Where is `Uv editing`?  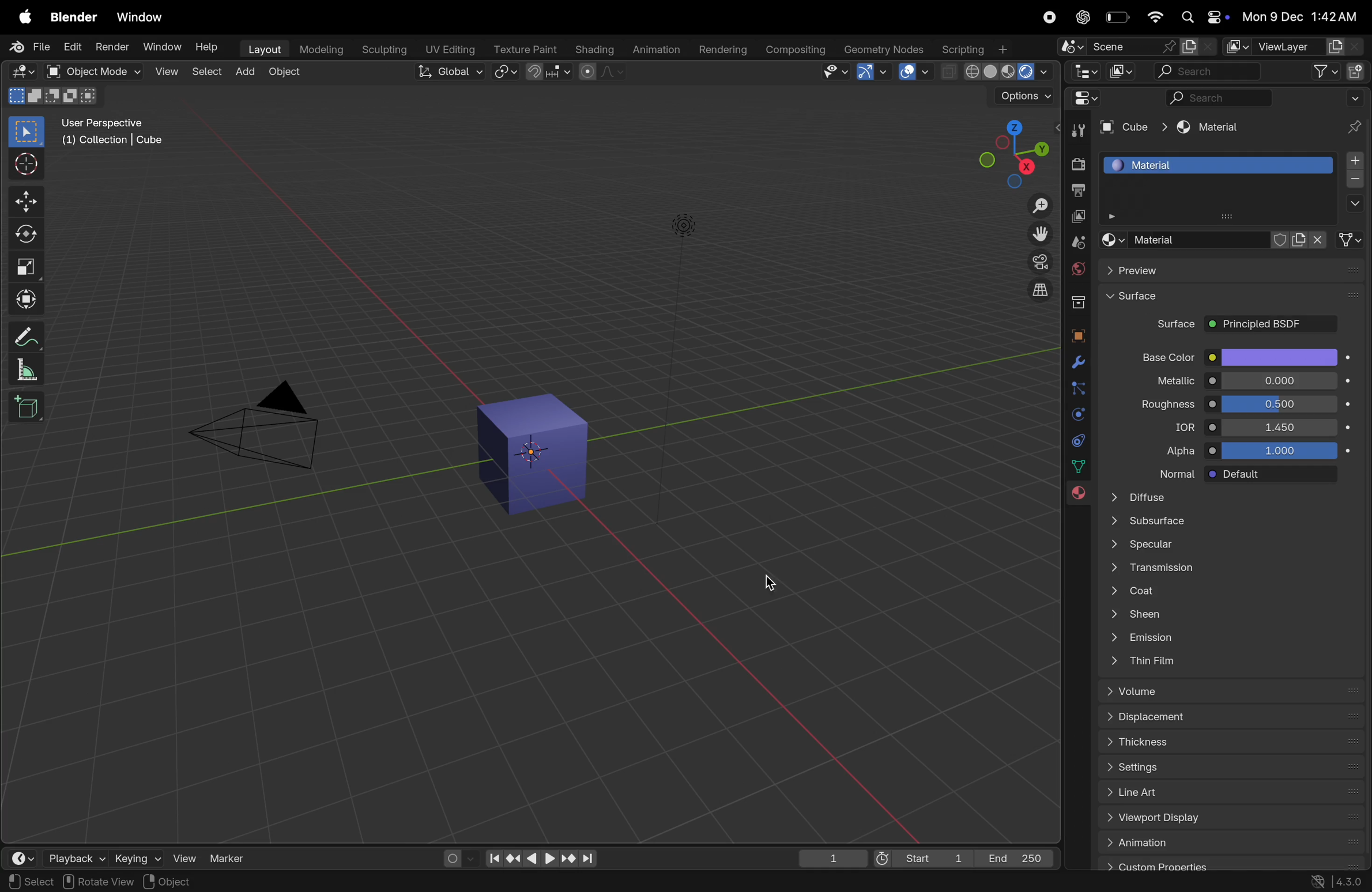
Uv editing is located at coordinates (448, 48).